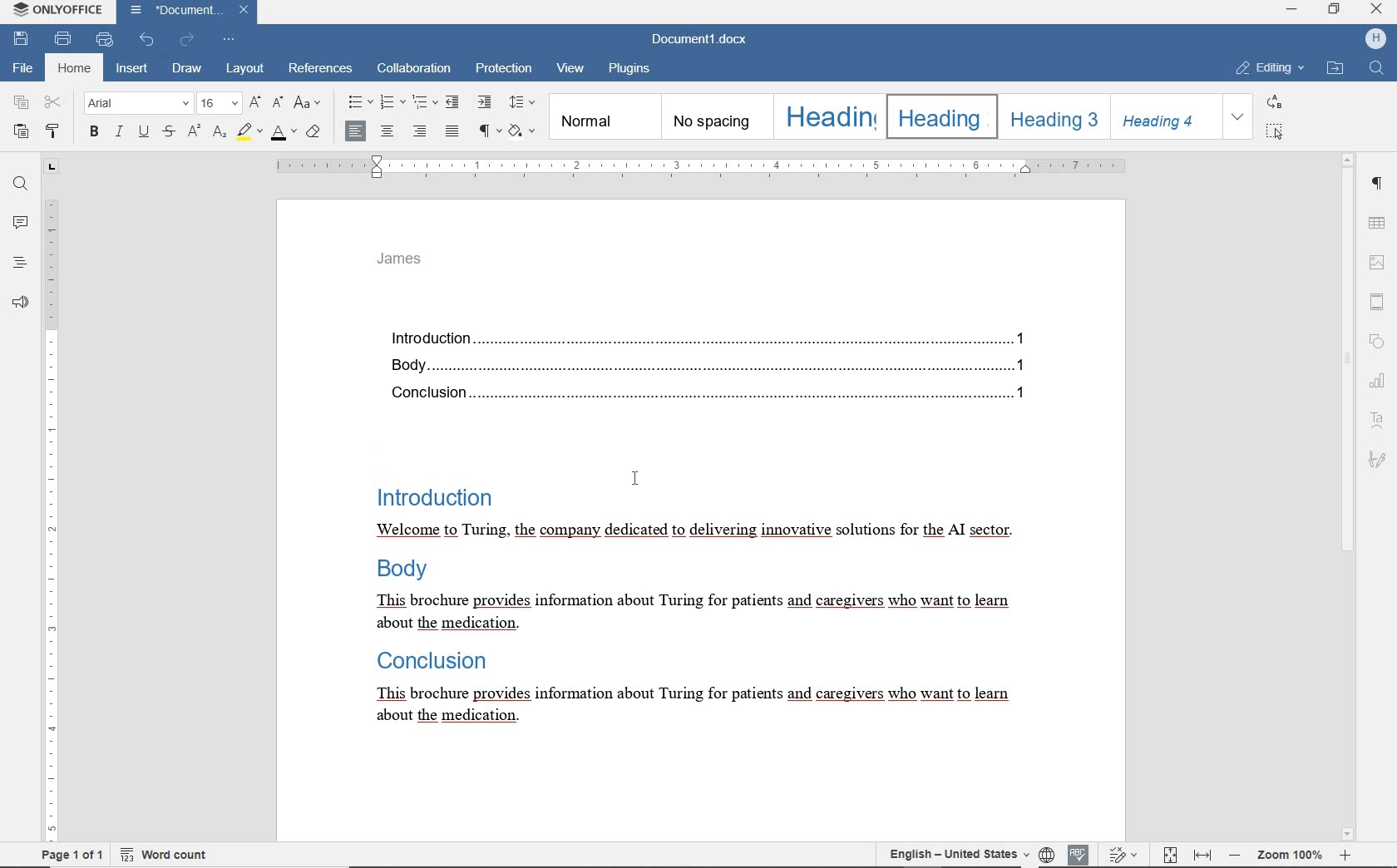  I want to click on set document language, so click(968, 855).